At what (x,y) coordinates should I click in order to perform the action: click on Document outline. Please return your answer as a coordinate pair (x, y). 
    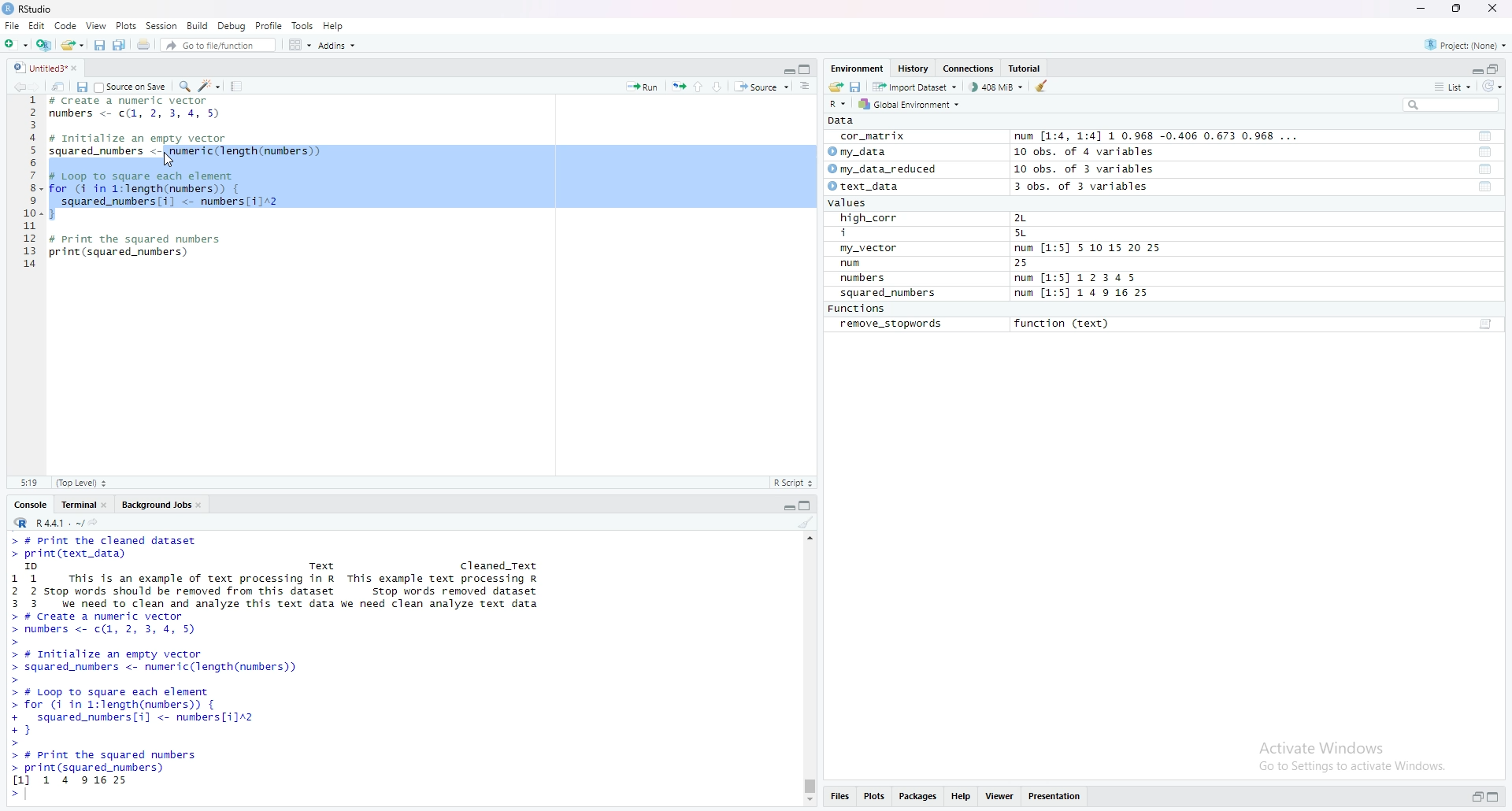
    Looking at the image, I should click on (806, 86).